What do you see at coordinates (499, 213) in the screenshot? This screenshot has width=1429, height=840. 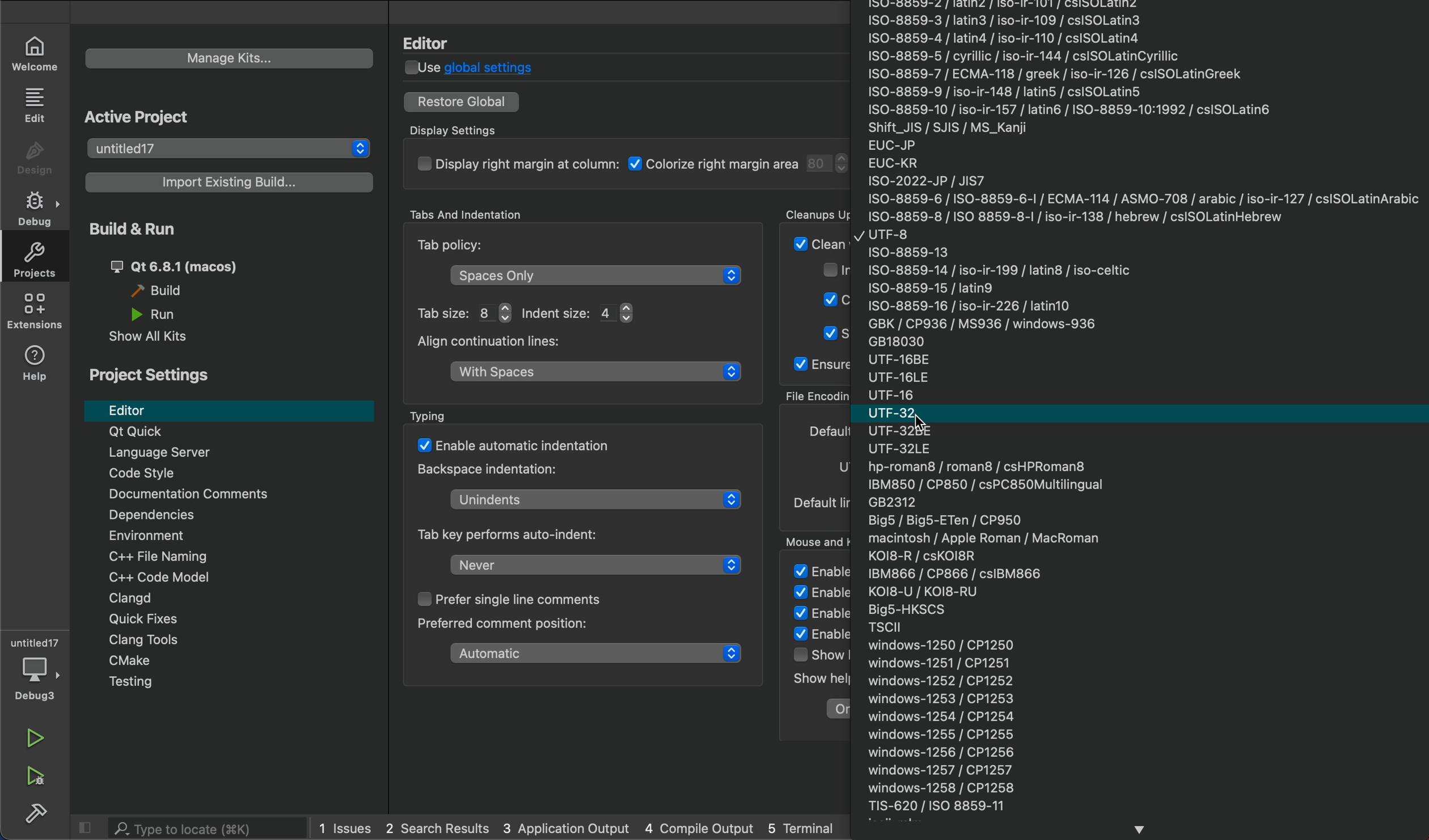 I see `Tabs And Identation` at bounding box center [499, 213].